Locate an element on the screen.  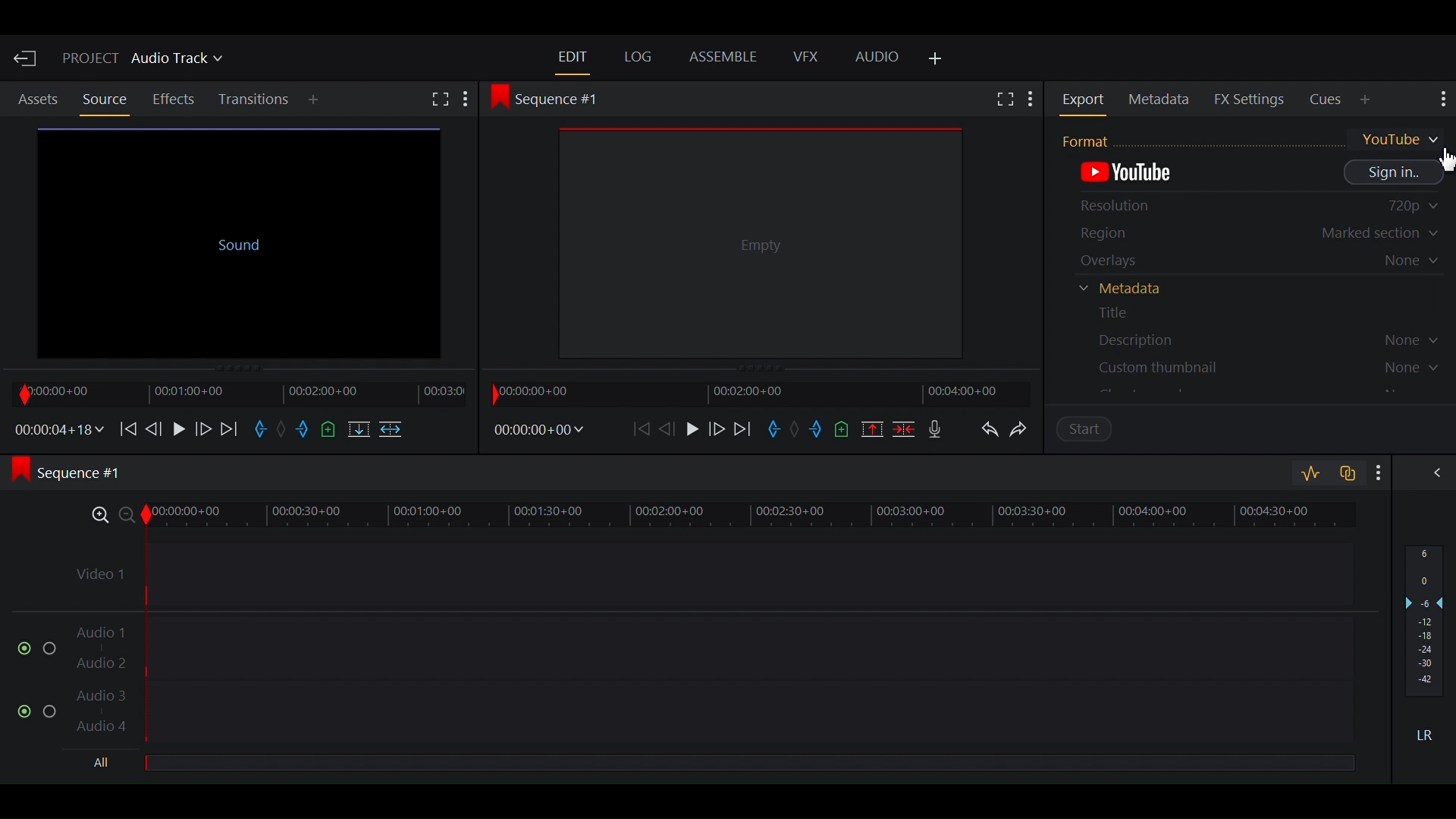
Mark in is located at coordinates (777, 431).